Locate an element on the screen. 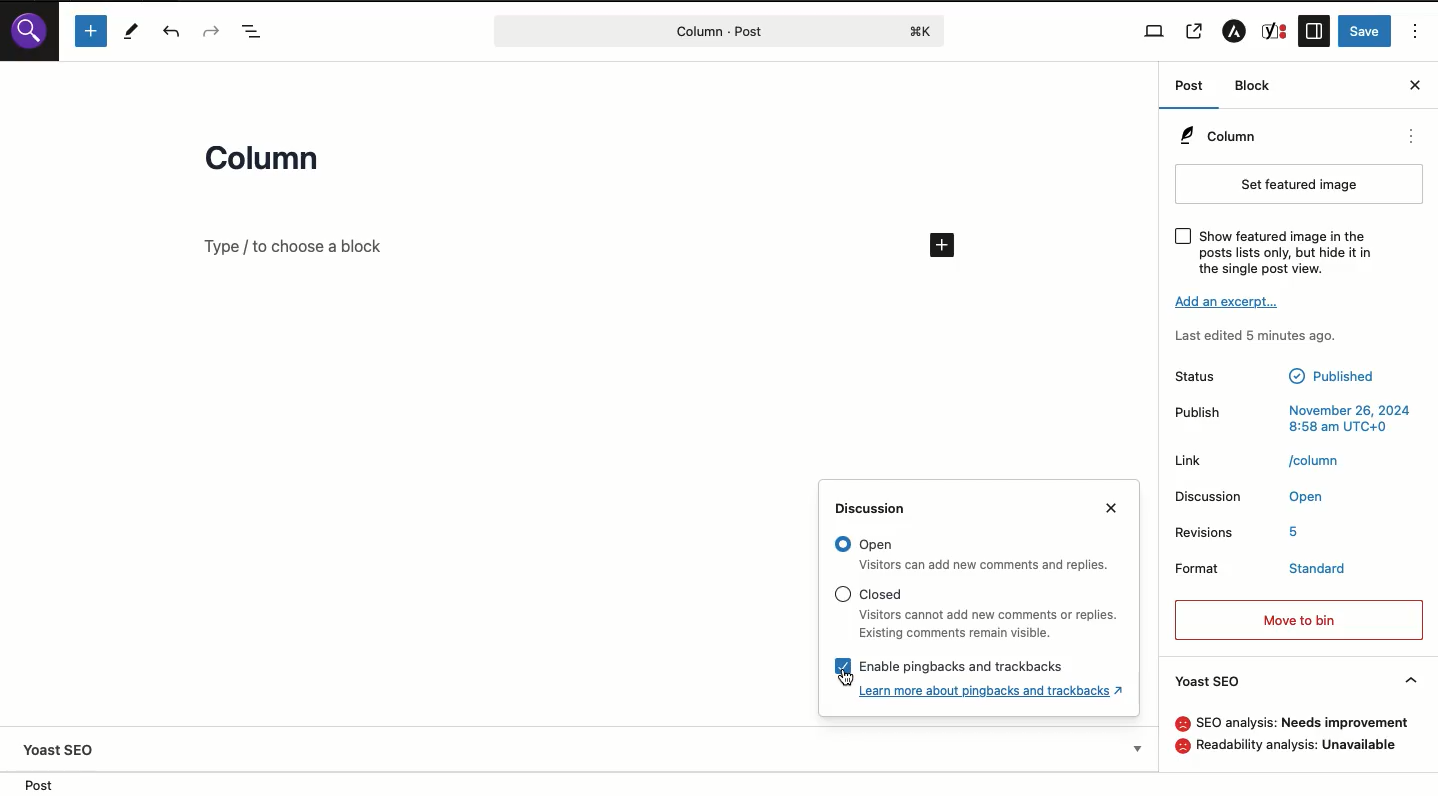  Format is located at coordinates (1206, 569).